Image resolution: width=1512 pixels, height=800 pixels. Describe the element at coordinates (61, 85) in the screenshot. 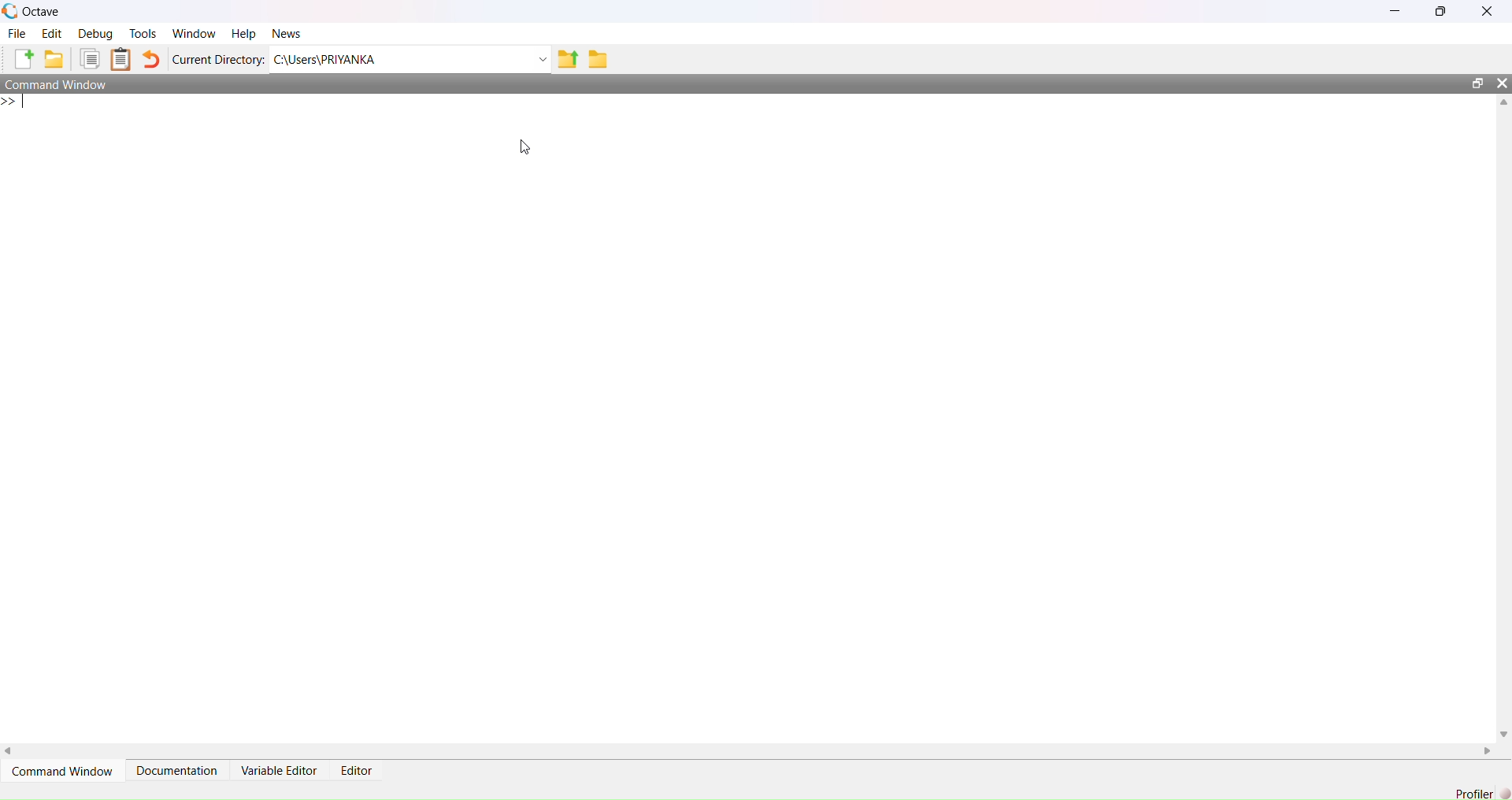

I see `Command Window` at that location.